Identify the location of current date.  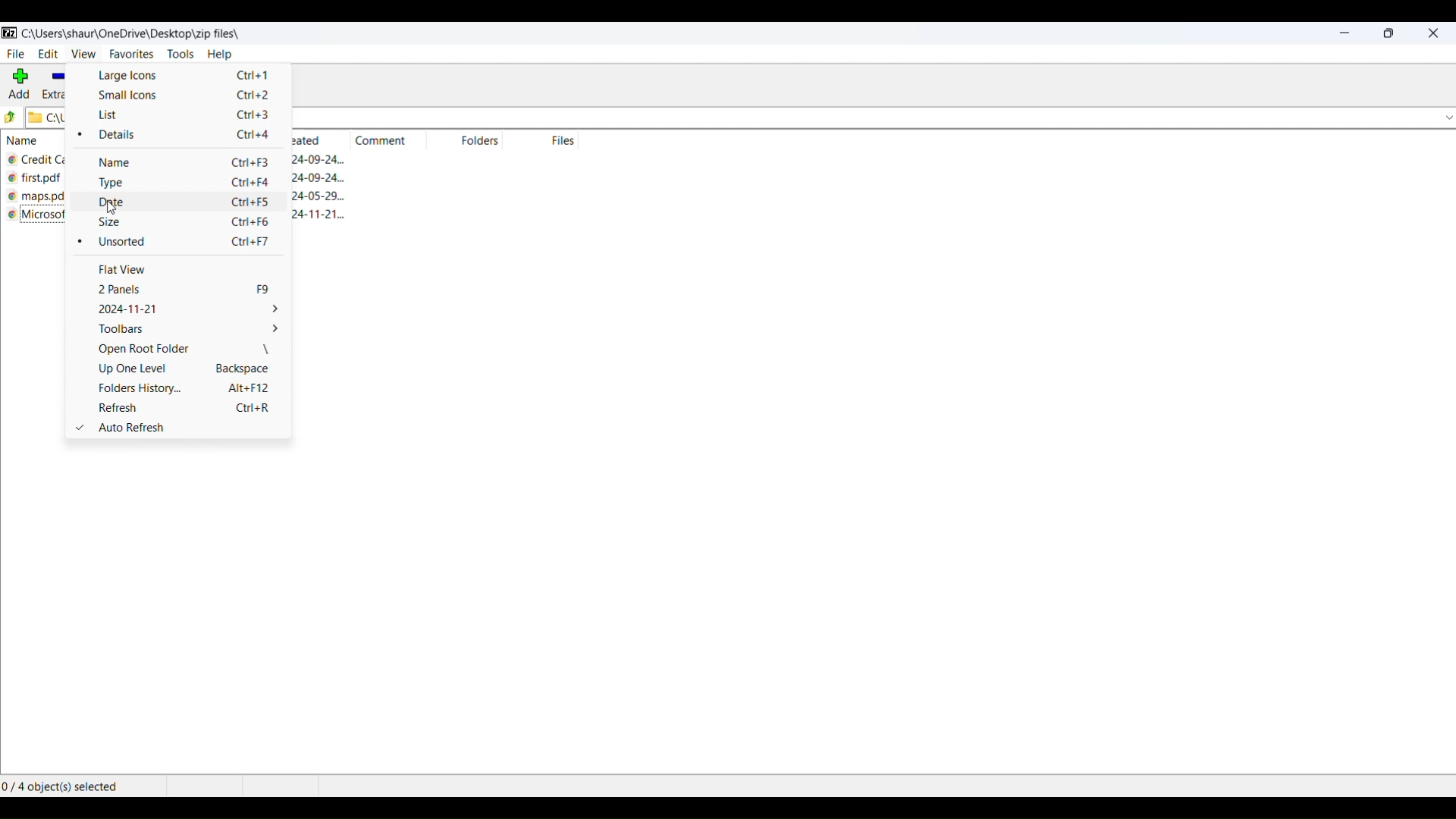
(187, 310).